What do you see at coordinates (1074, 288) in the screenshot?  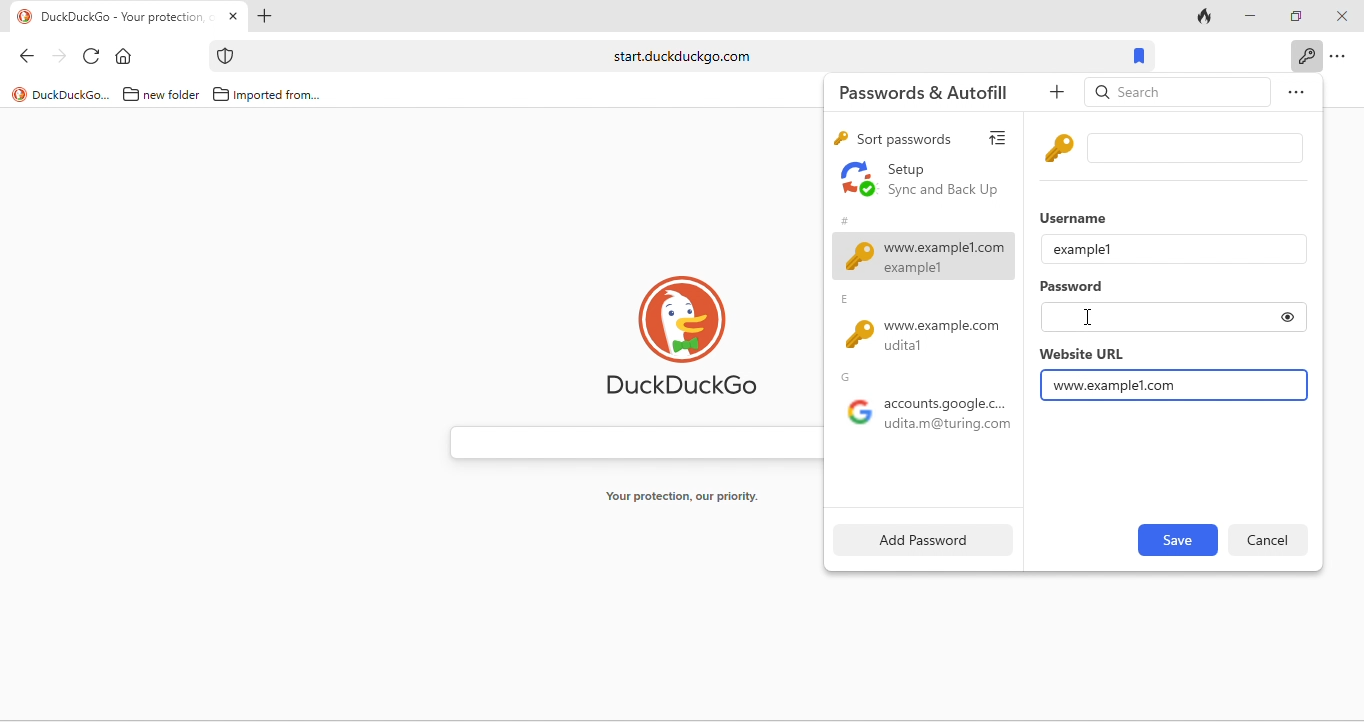 I see `password` at bounding box center [1074, 288].